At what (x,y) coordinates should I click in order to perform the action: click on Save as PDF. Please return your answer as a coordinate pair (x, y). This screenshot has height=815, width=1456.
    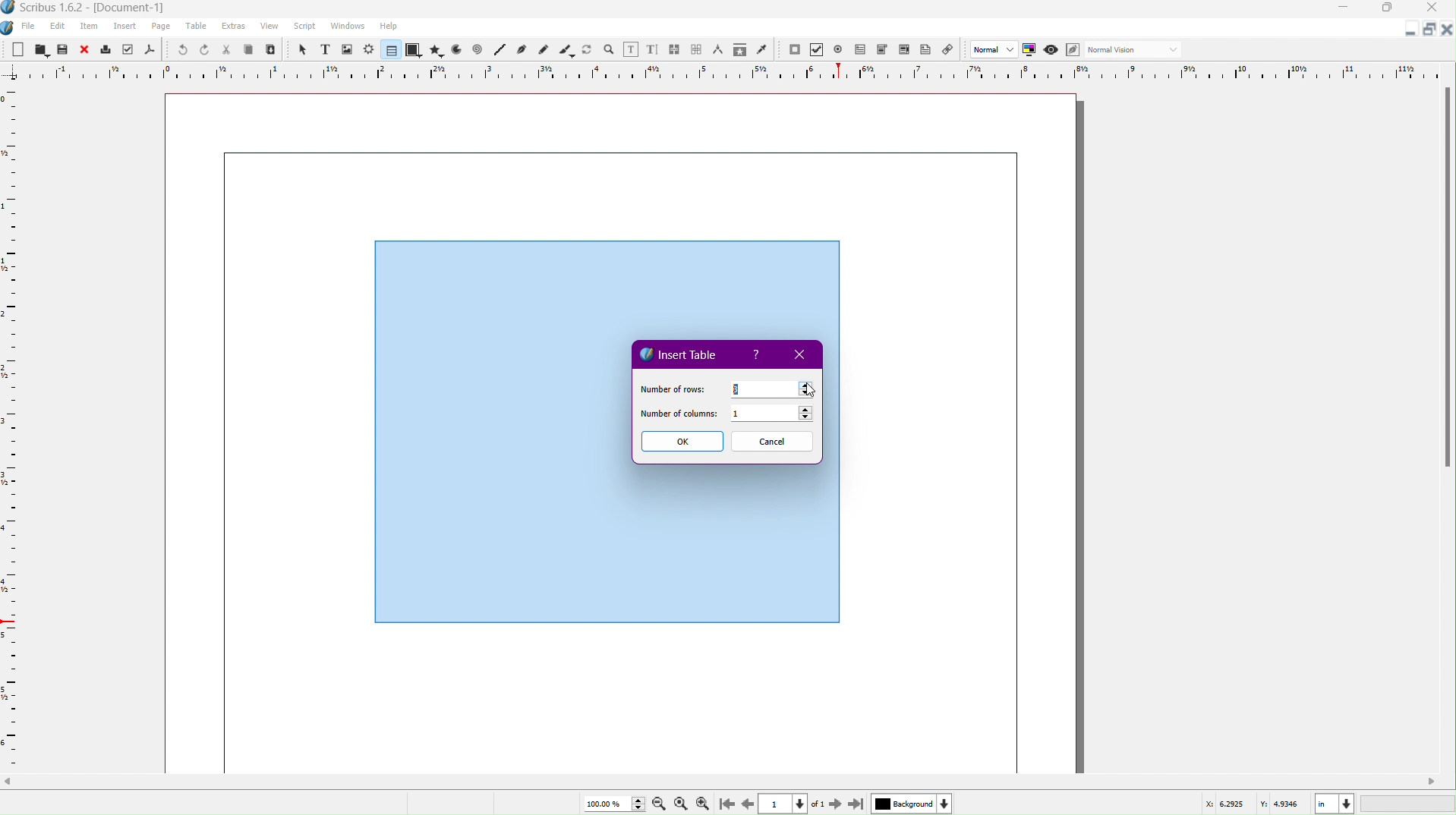
    Looking at the image, I should click on (149, 50).